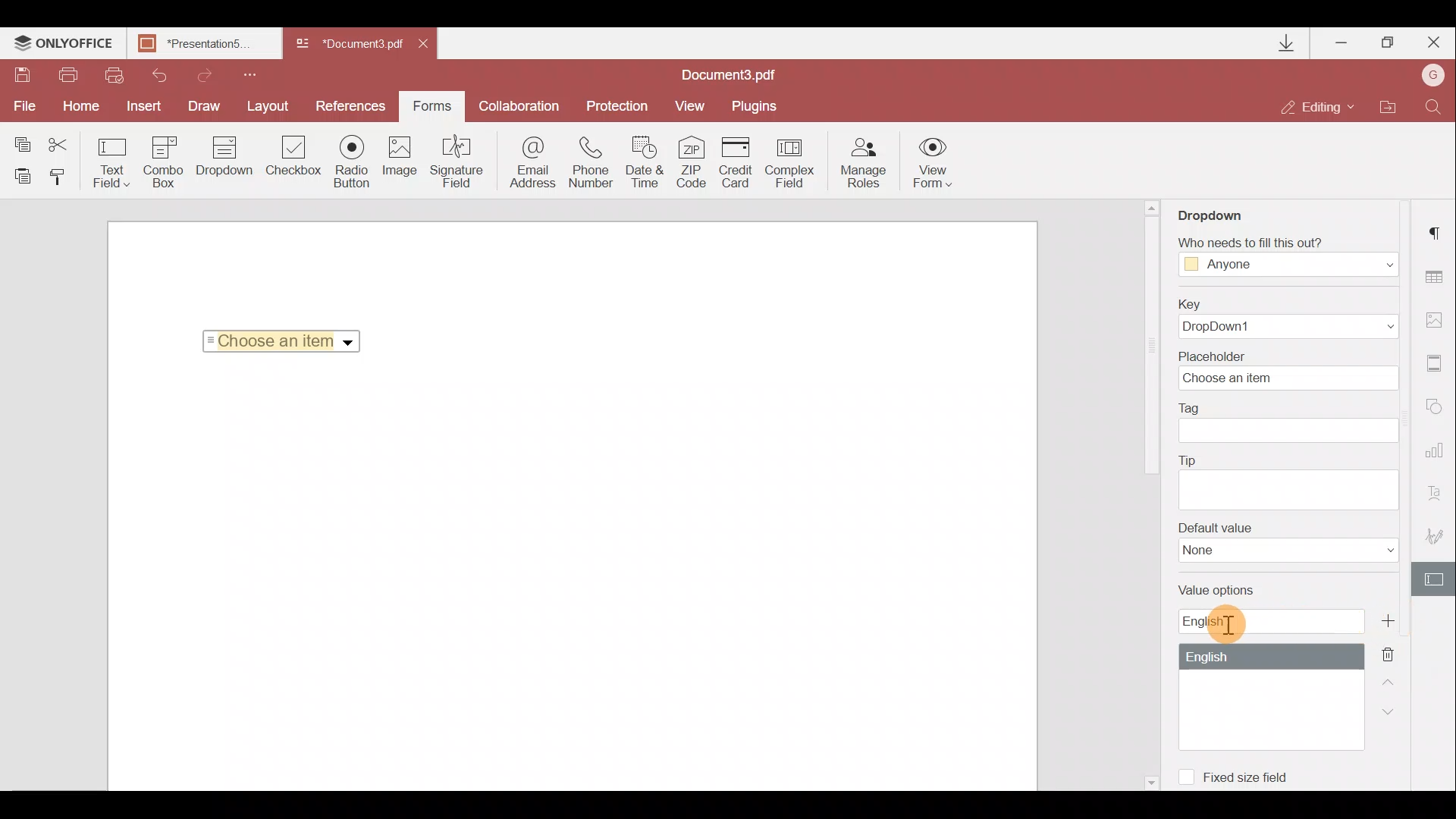 The image size is (1456, 819). Describe the element at coordinates (1434, 105) in the screenshot. I see `Find` at that location.